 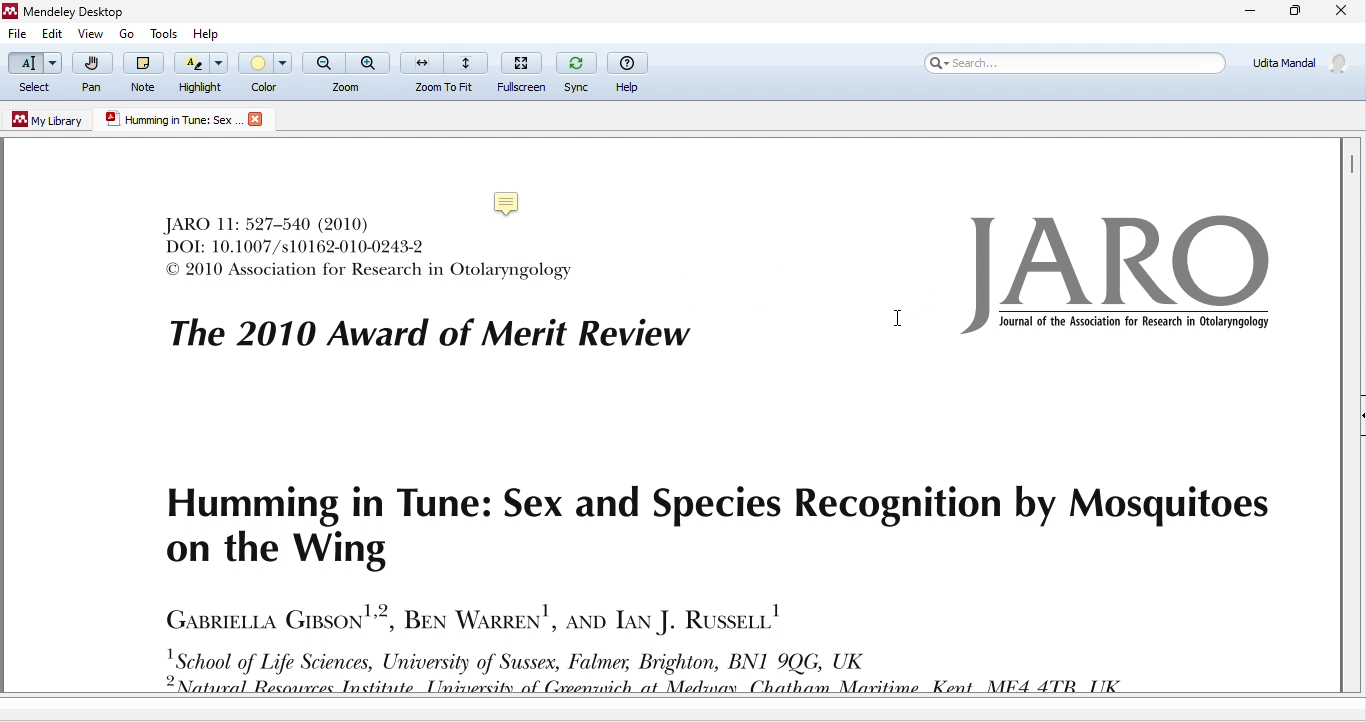 What do you see at coordinates (257, 120) in the screenshot?
I see `close` at bounding box center [257, 120].